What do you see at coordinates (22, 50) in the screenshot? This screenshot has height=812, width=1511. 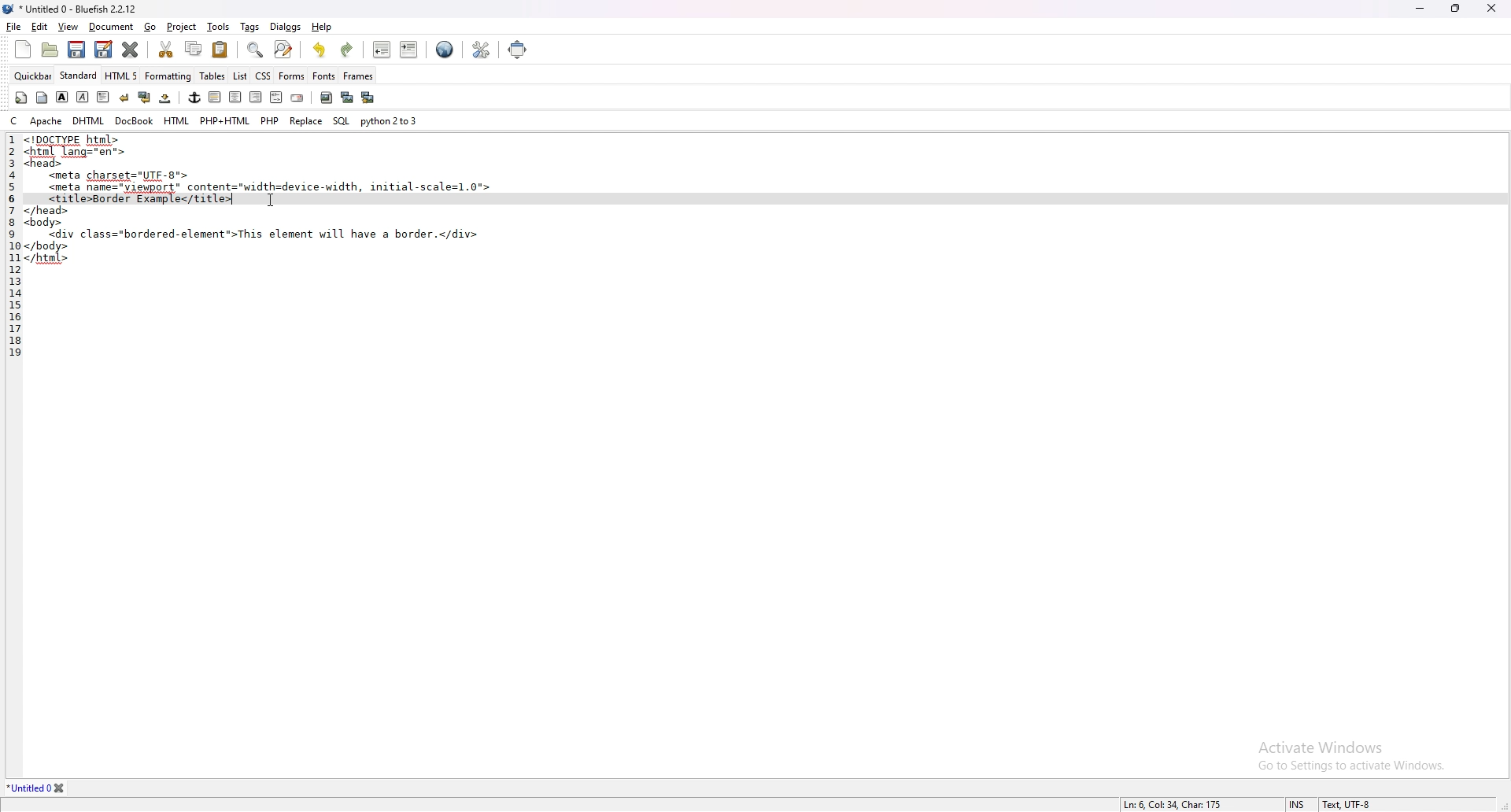 I see `new` at bounding box center [22, 50].